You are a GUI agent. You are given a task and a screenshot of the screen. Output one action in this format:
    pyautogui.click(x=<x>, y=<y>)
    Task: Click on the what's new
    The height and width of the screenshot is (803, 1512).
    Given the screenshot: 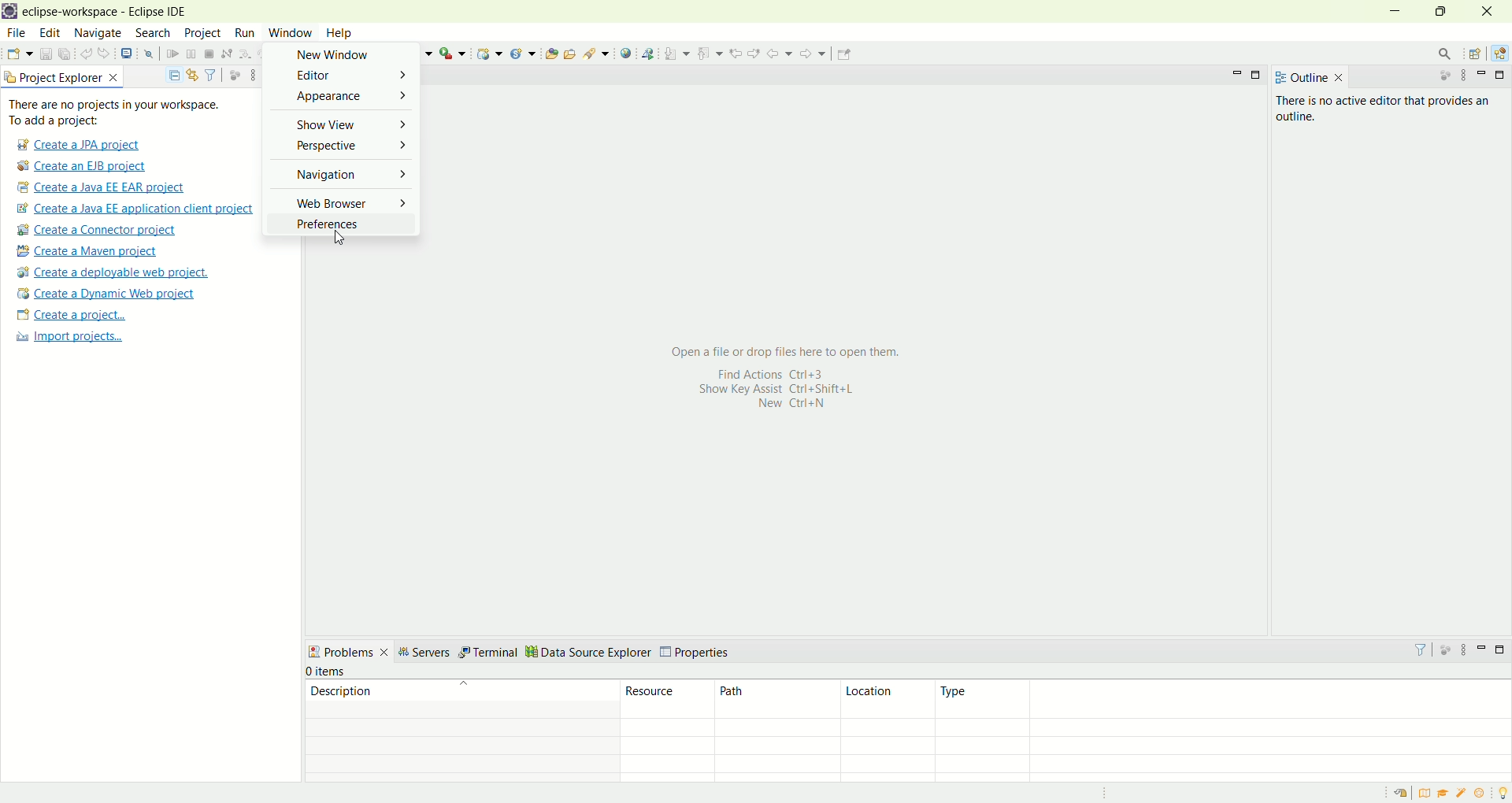 What is the action you would take?
    pyautogui.click(x=1484, y=794)
    